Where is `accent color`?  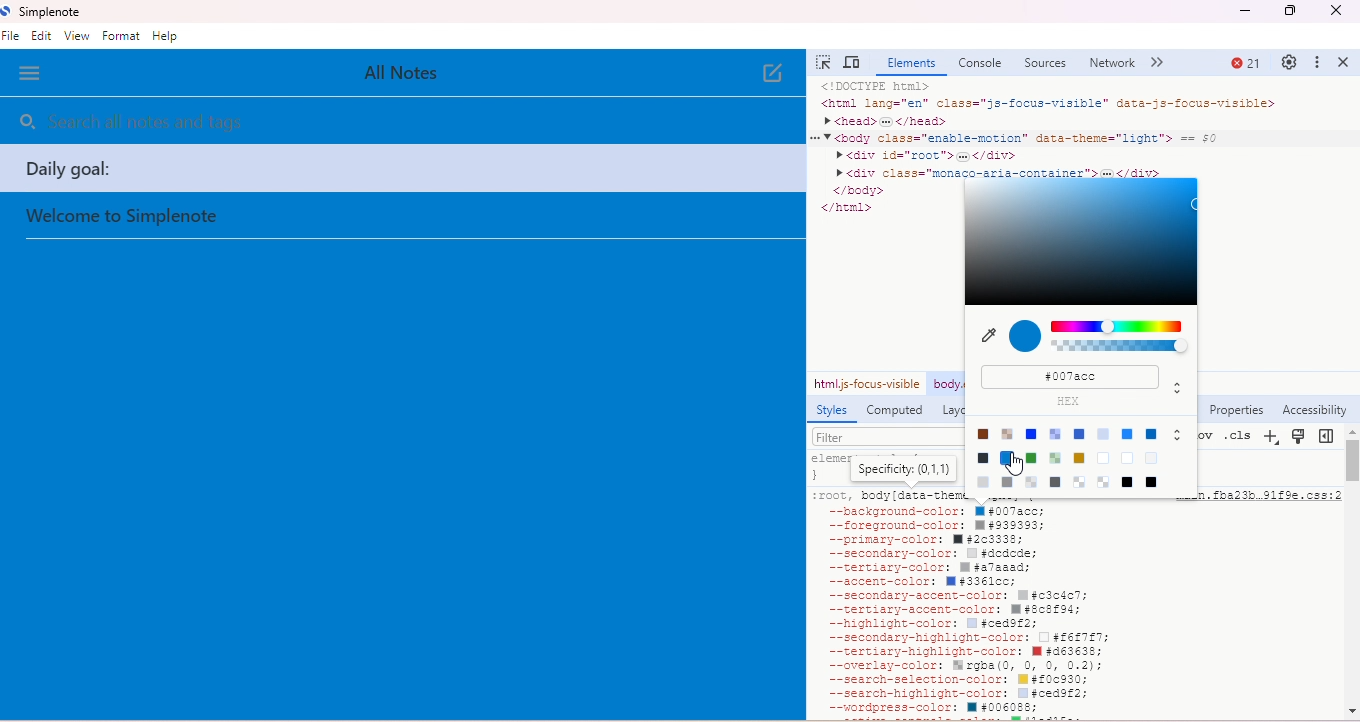
accent color is located at coordinates (920, 583).